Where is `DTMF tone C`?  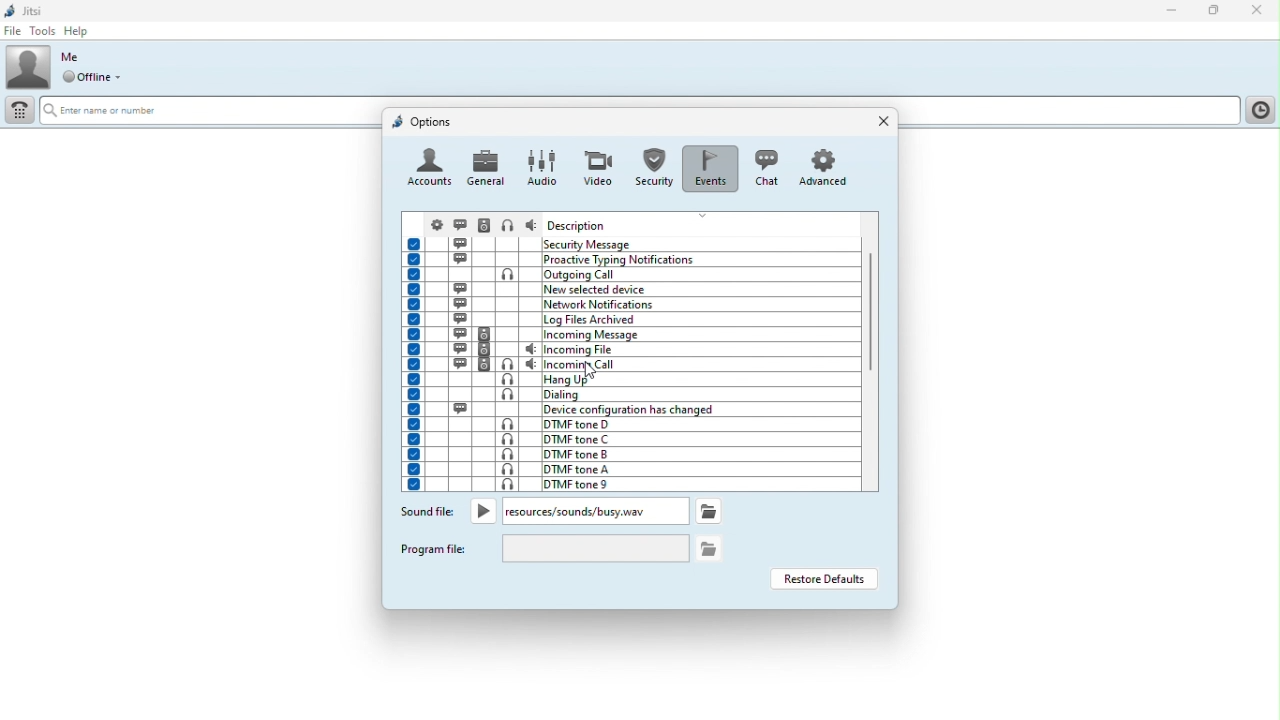 DTMF tone C is located at coordinates (630, 438).